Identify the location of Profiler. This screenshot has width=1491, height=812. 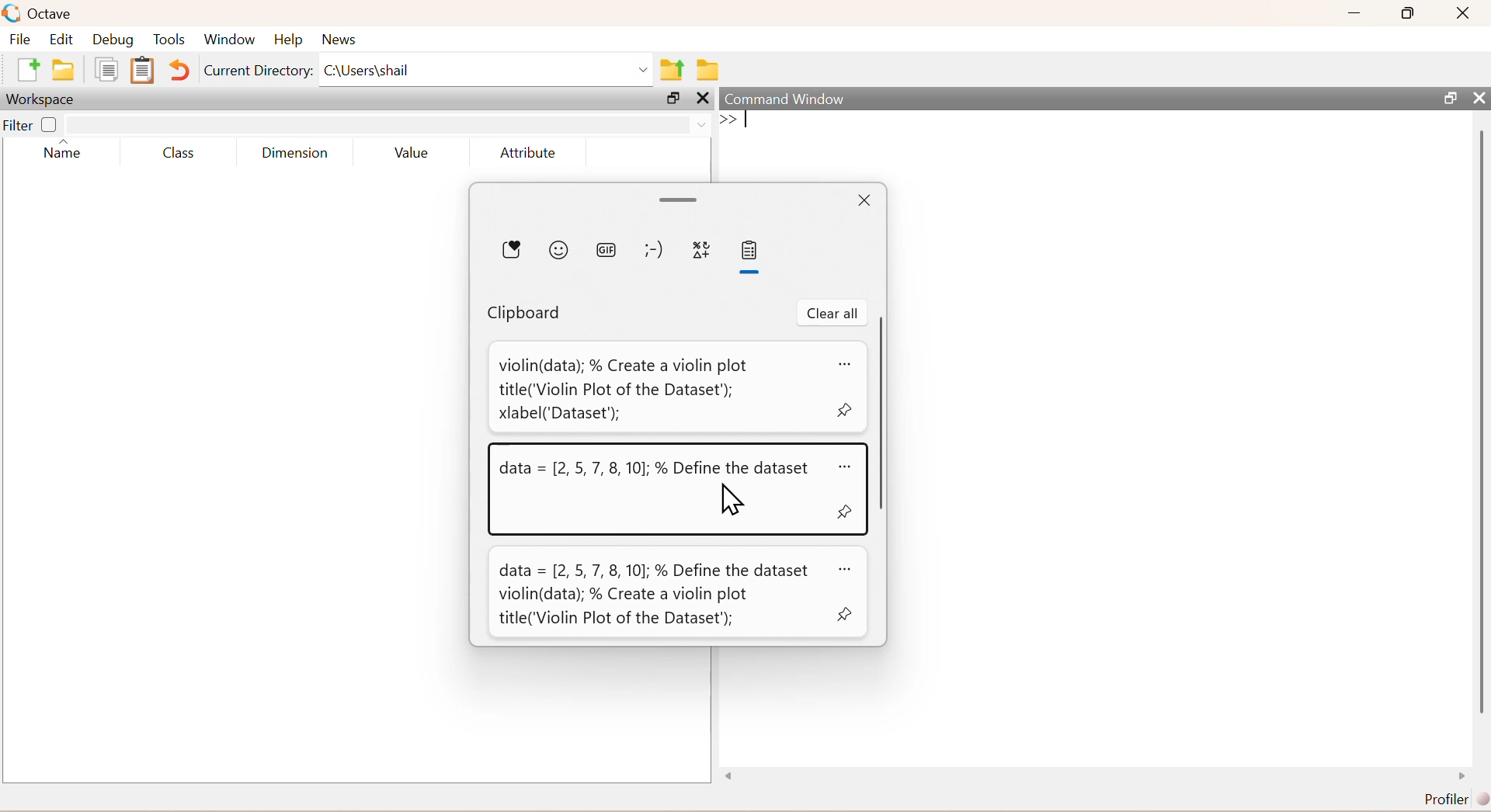
(1457, 800).